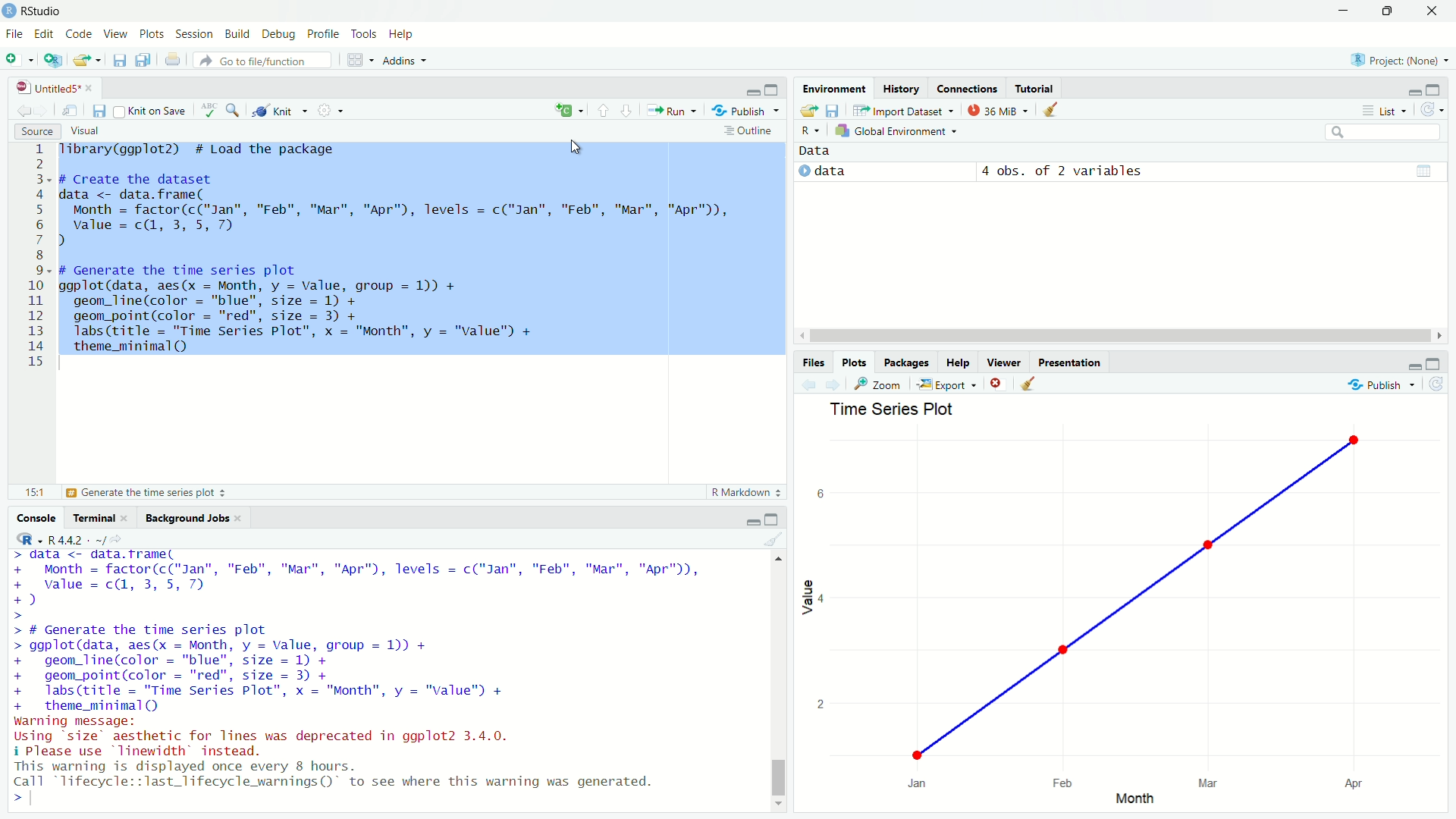  Describe the element at coordinates (946, 384) in the screenshot. I see `export` at that location.